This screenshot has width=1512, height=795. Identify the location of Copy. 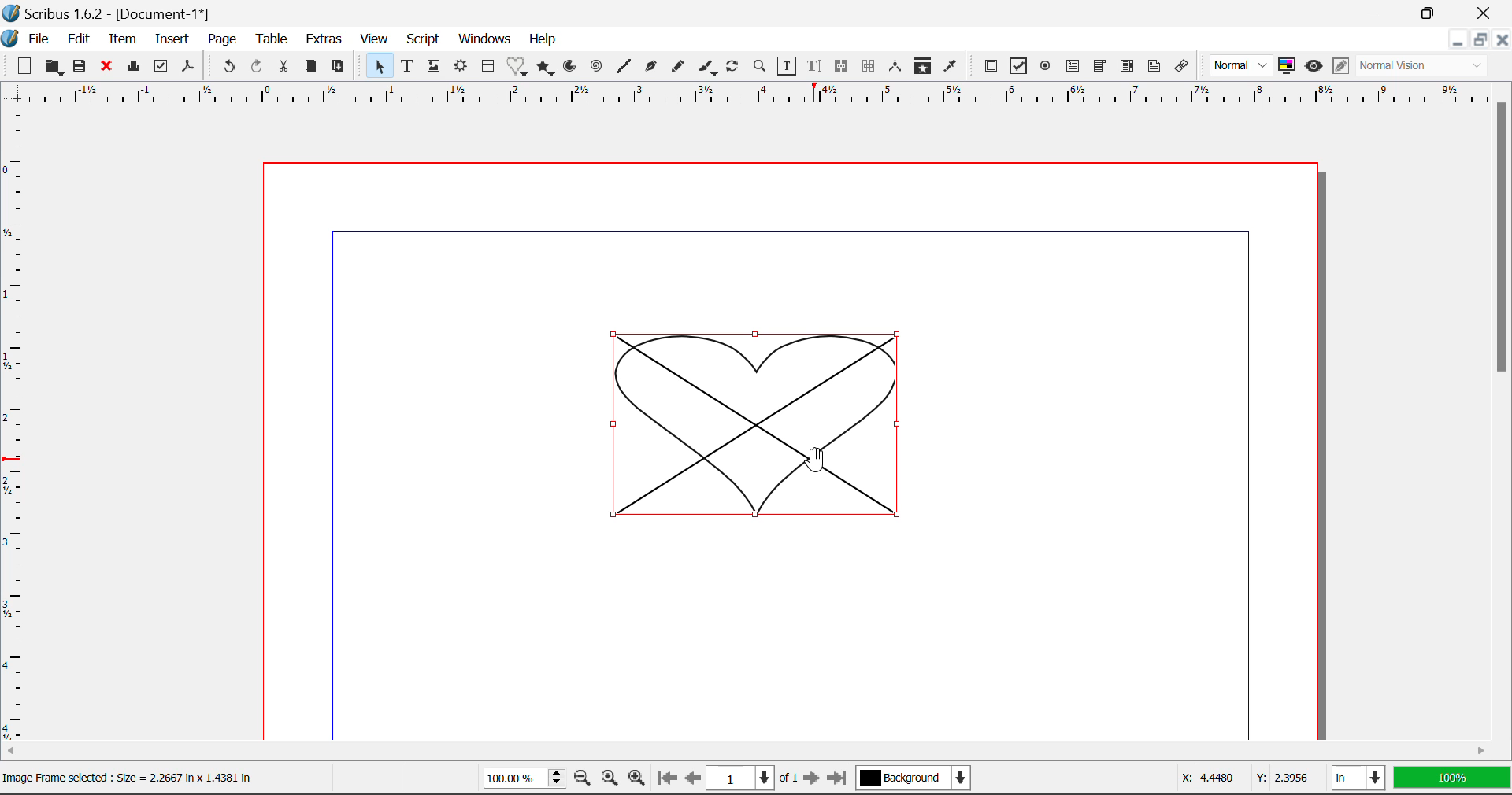
(310, 67).